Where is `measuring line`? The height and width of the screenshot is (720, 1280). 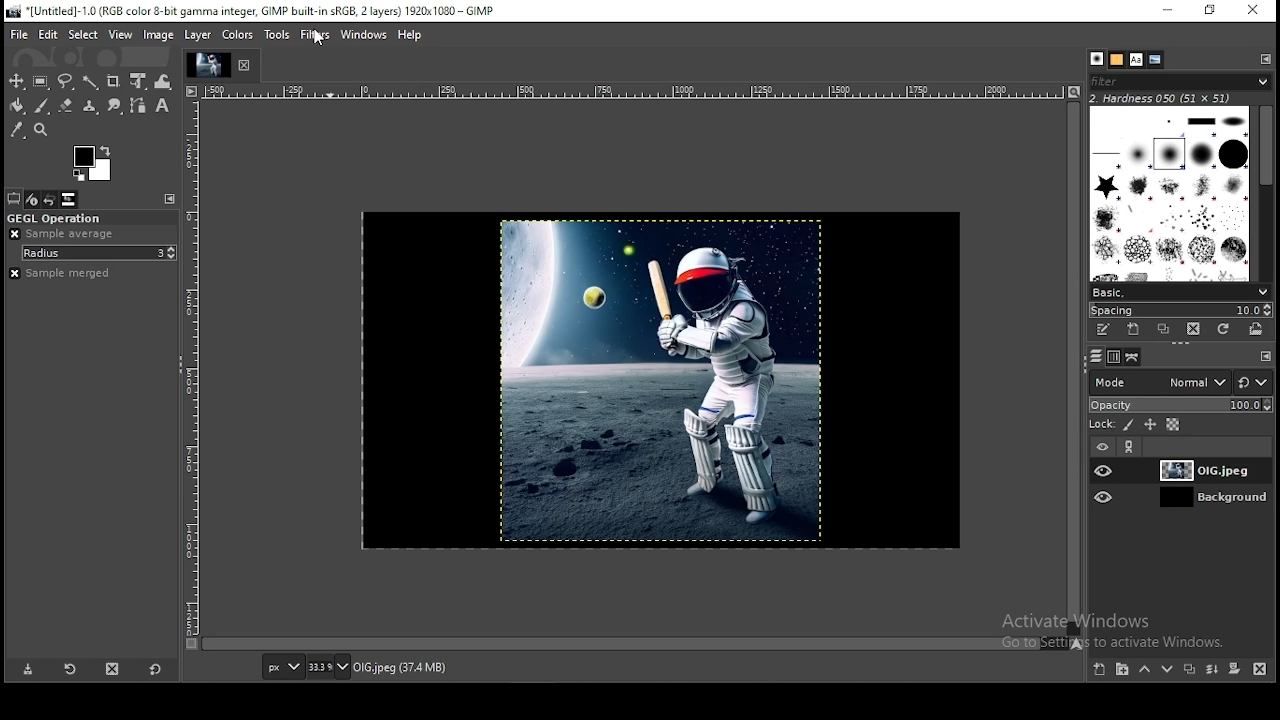
measuring line is located at coordinates (633, 92).